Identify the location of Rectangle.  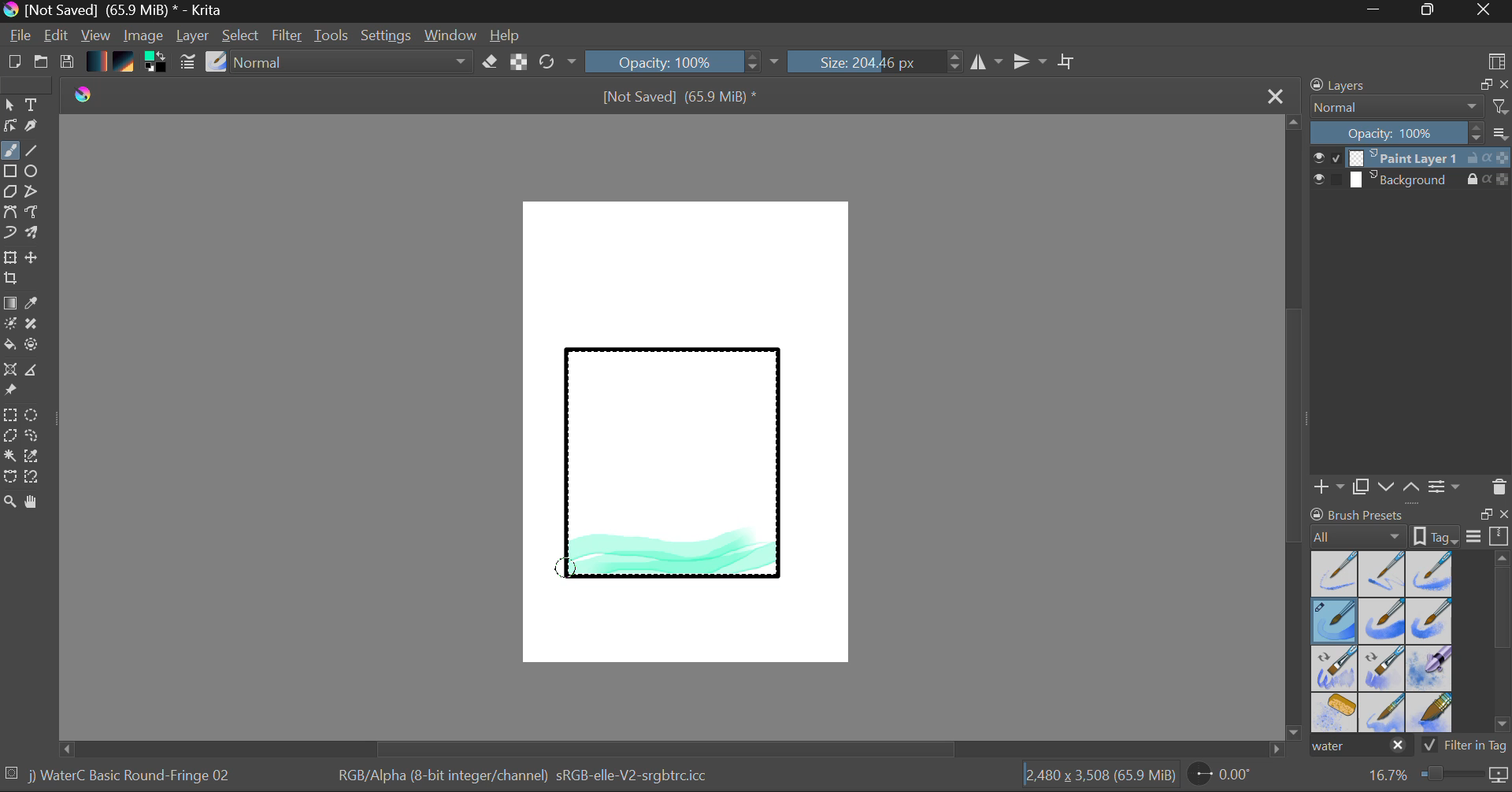
(11, 172).